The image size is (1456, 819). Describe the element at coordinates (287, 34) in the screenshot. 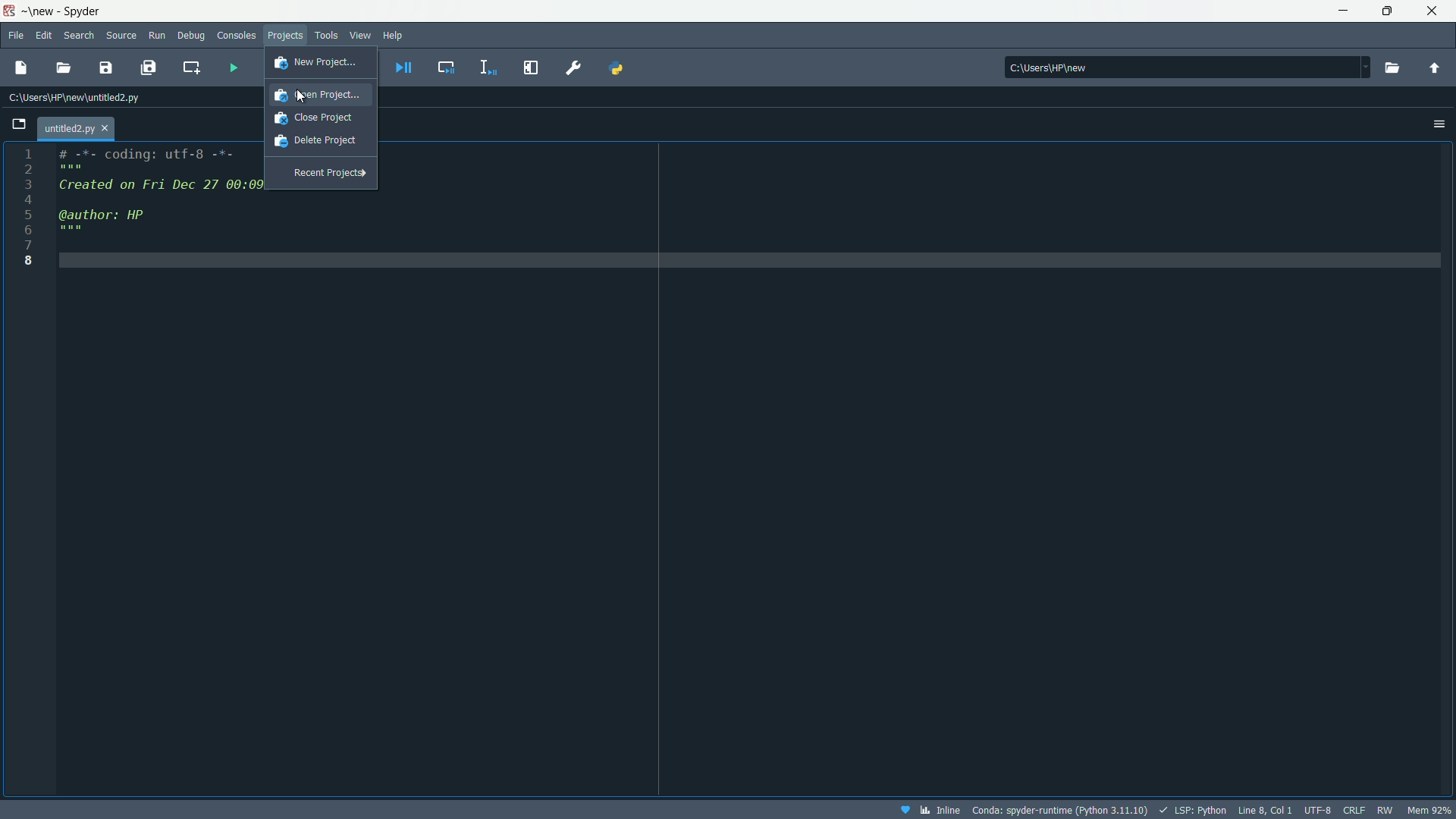

I see `Projects` at that location.